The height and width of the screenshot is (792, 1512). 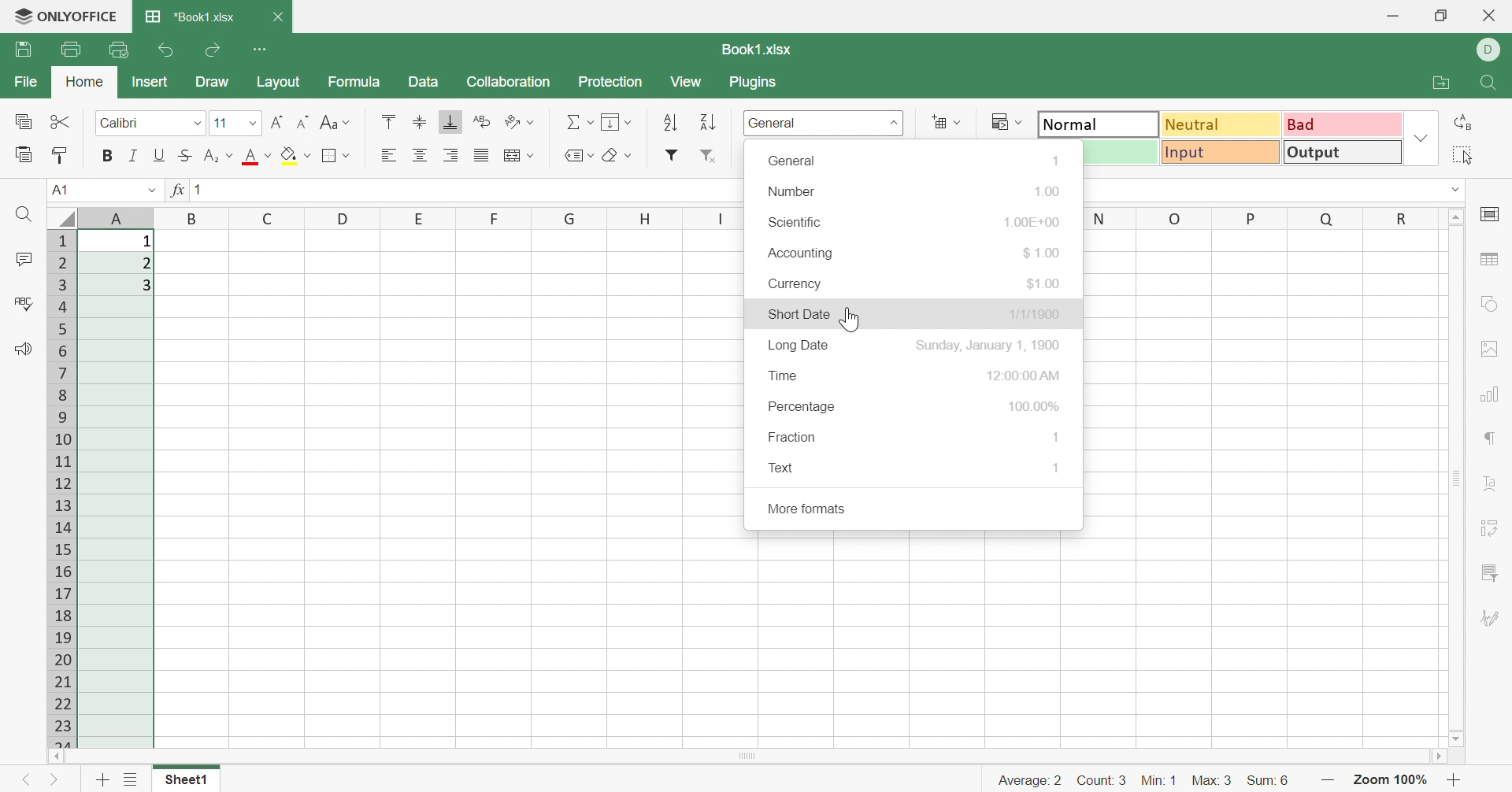 What do you see at coordinates (1458, 477) in the screenshot?
I see `Scroll bar` at bounding box center [1458, 477].